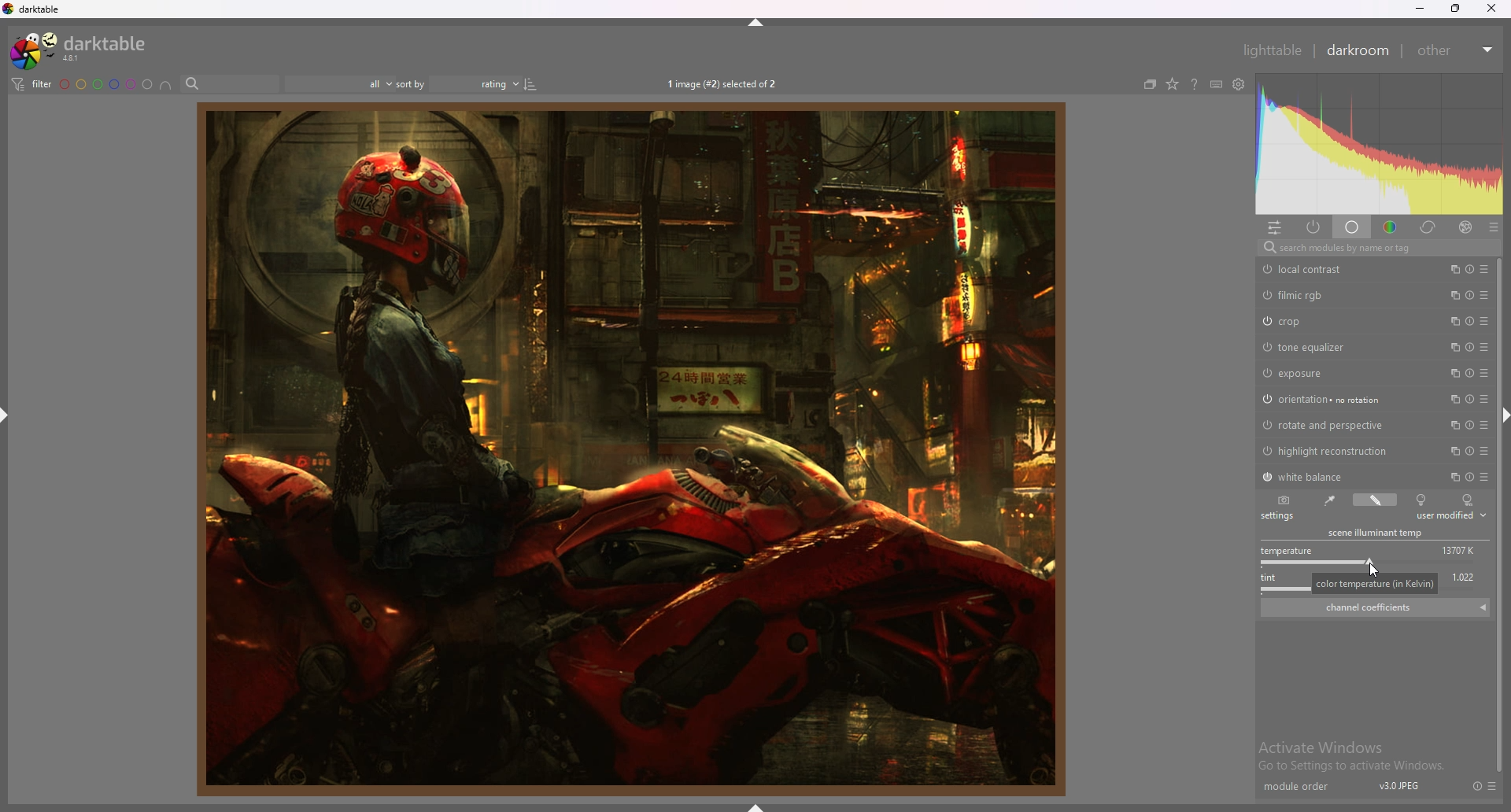  Describe the element at coordinates (1418, 9) in the screenshot. I see `minimize` at that location.